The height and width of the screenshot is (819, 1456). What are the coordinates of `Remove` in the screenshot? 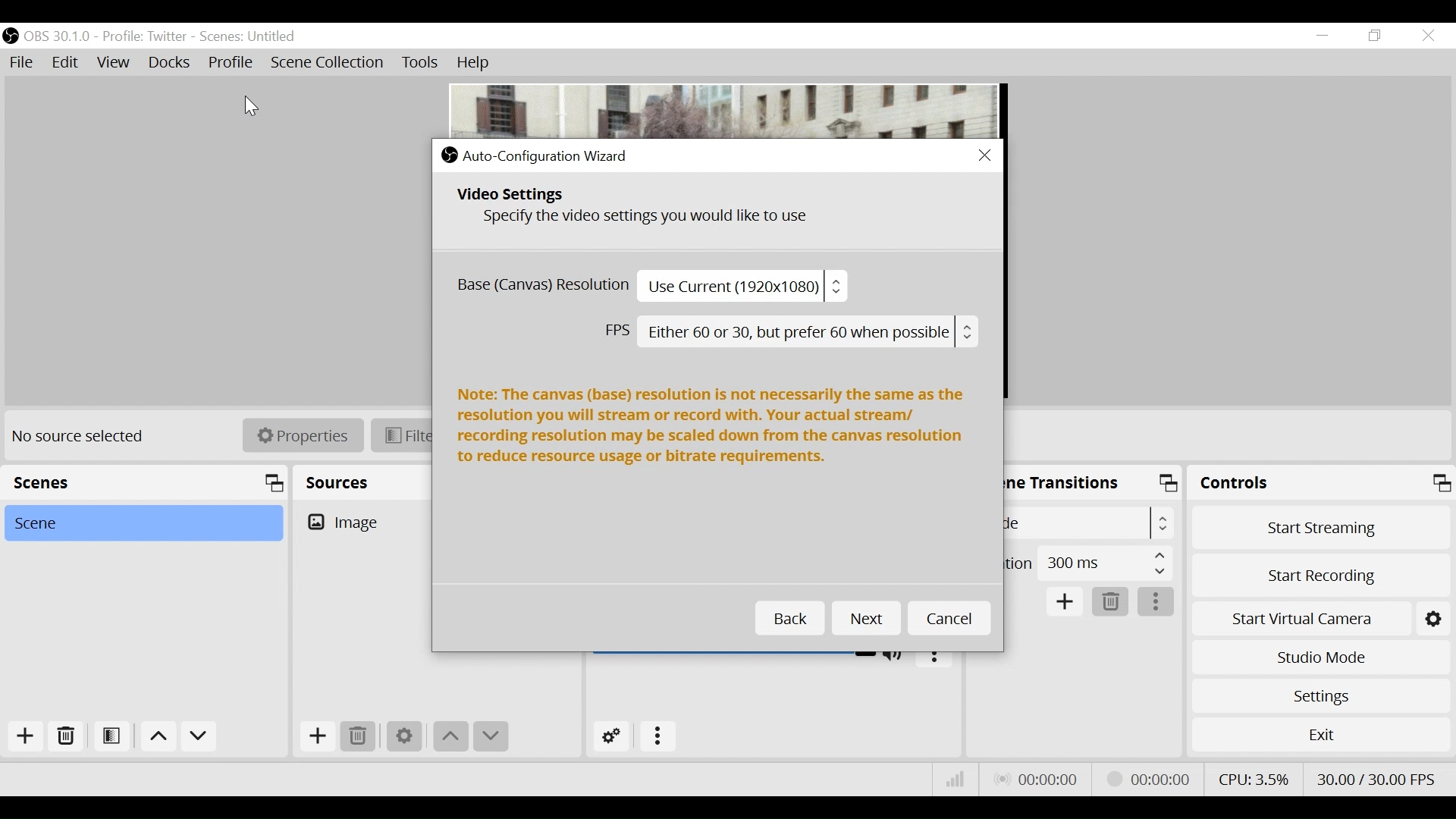 It's located at (64, 739).